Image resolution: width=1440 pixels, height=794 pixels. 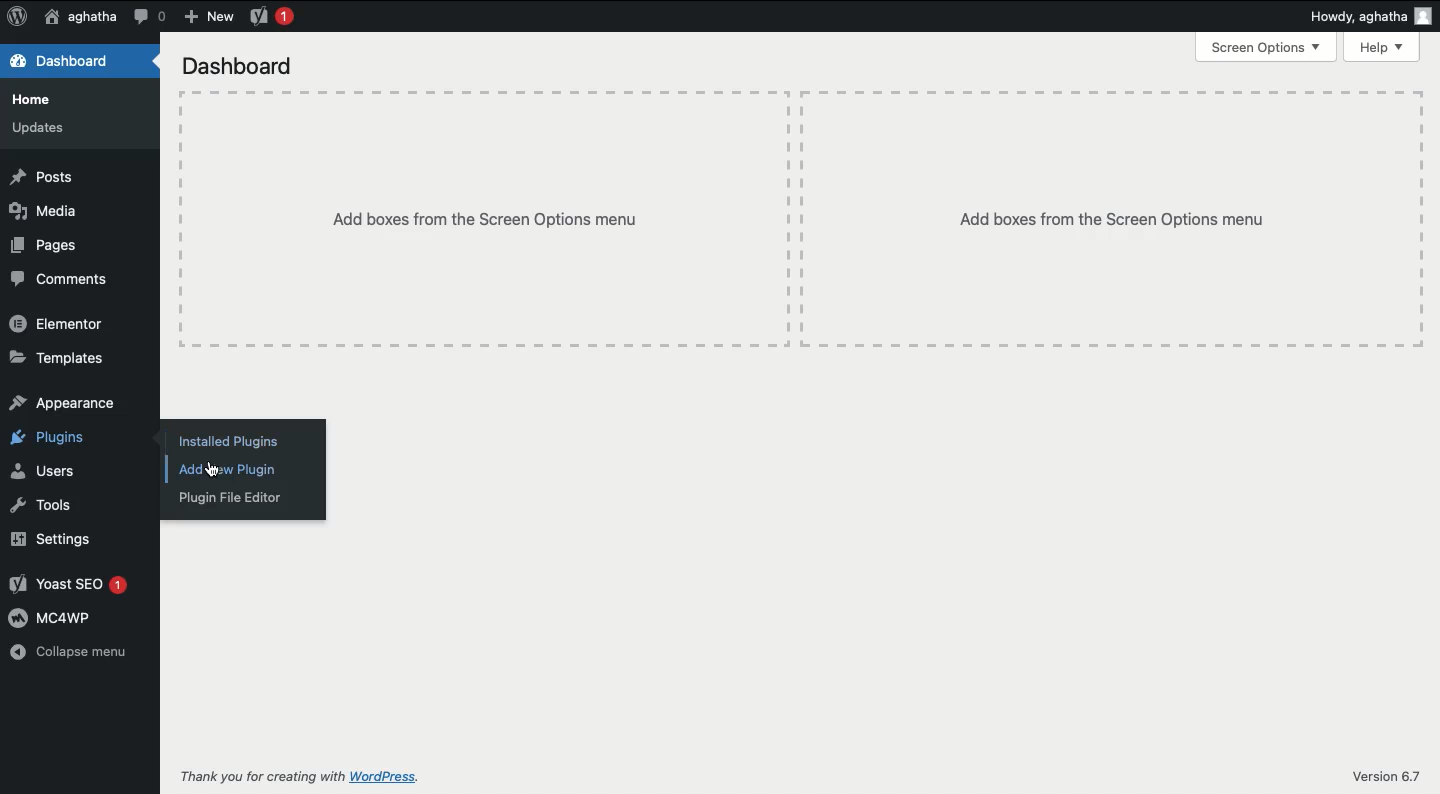 What do you see at coordinates (72, 653) in the screenshot?
I see `Collapse menu` at bounding box center [72, 653].